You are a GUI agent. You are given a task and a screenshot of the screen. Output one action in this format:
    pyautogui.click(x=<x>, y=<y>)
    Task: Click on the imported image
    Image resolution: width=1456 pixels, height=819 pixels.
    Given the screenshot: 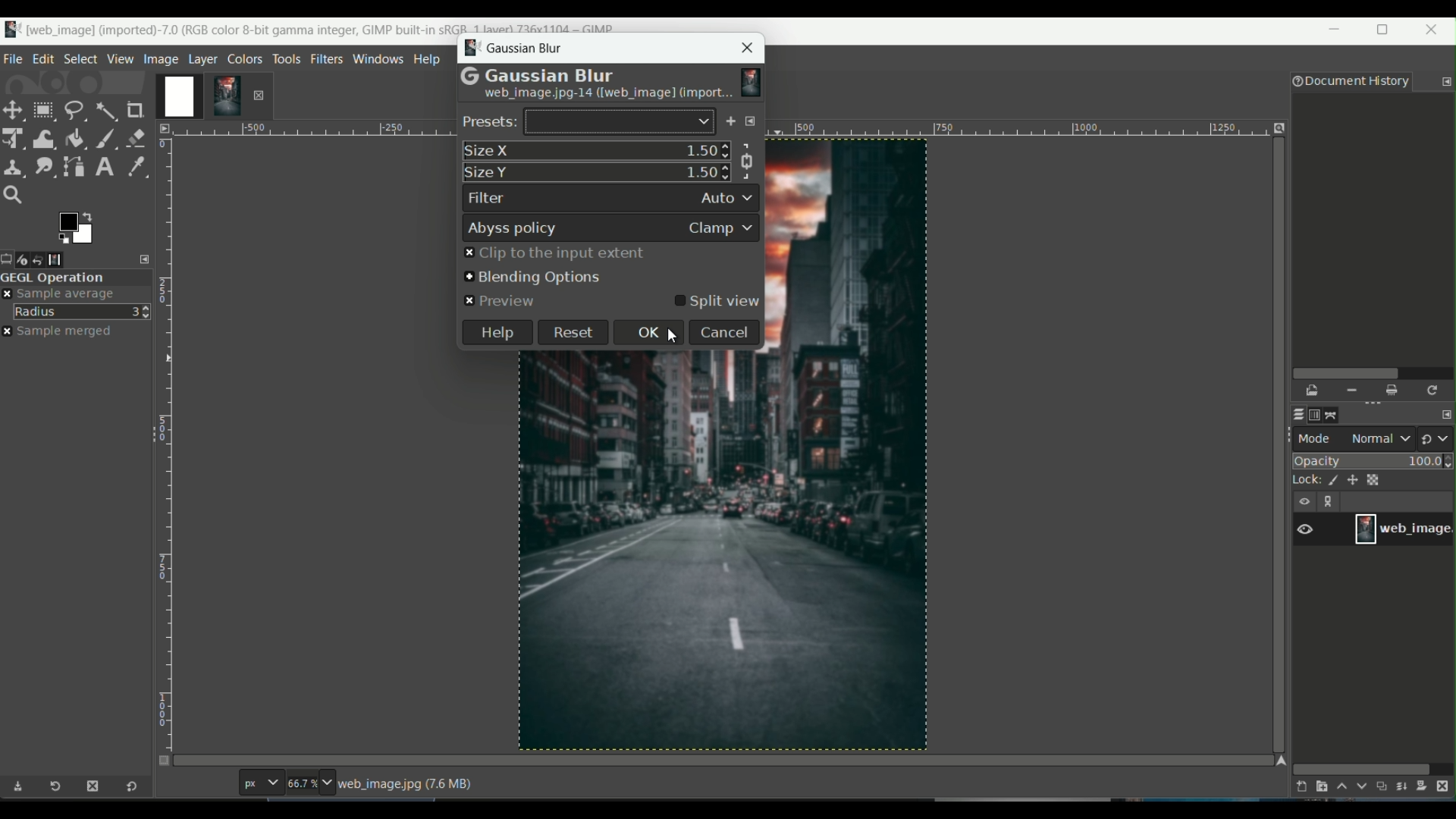 What is the action you would take?
    pyautogui.click(x=201, y=97)
    